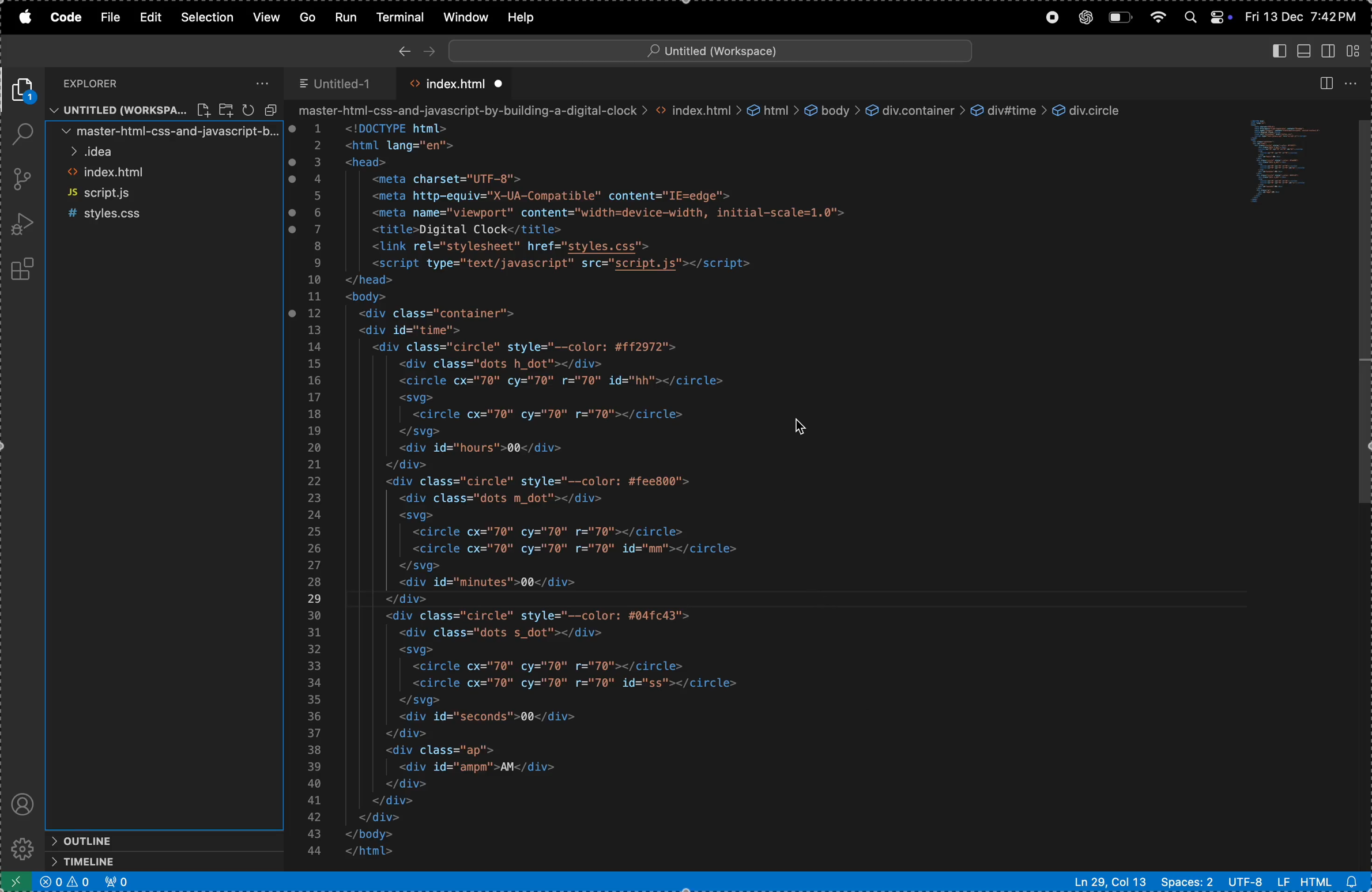 This screenshot has width=1372, height=892. What do you see at coordinates (1302, 17) in the screenshot?
I see `date and time` at bounding box center [1302, 17].